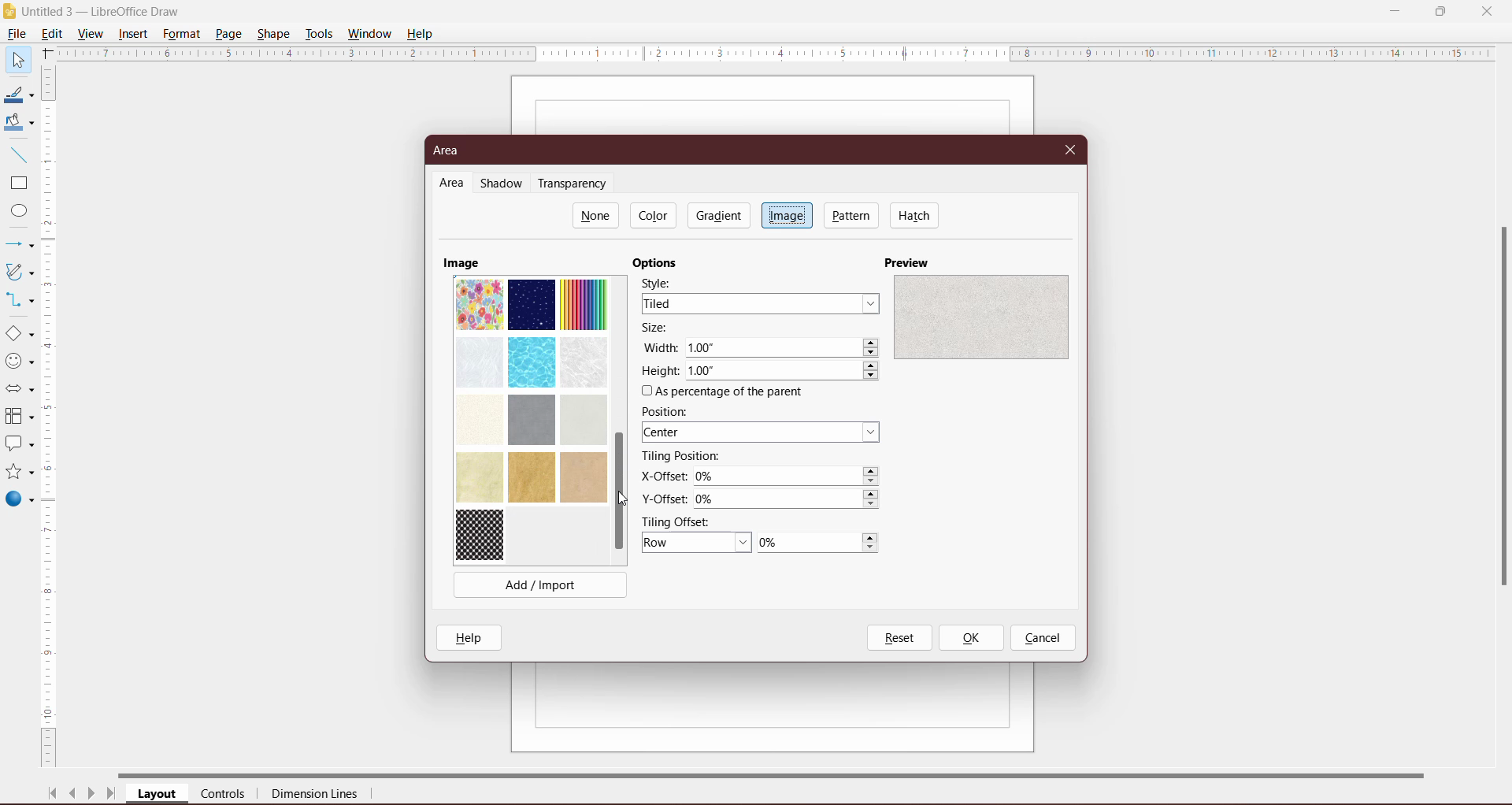  I want to click on Shadow, so click(504, 184).